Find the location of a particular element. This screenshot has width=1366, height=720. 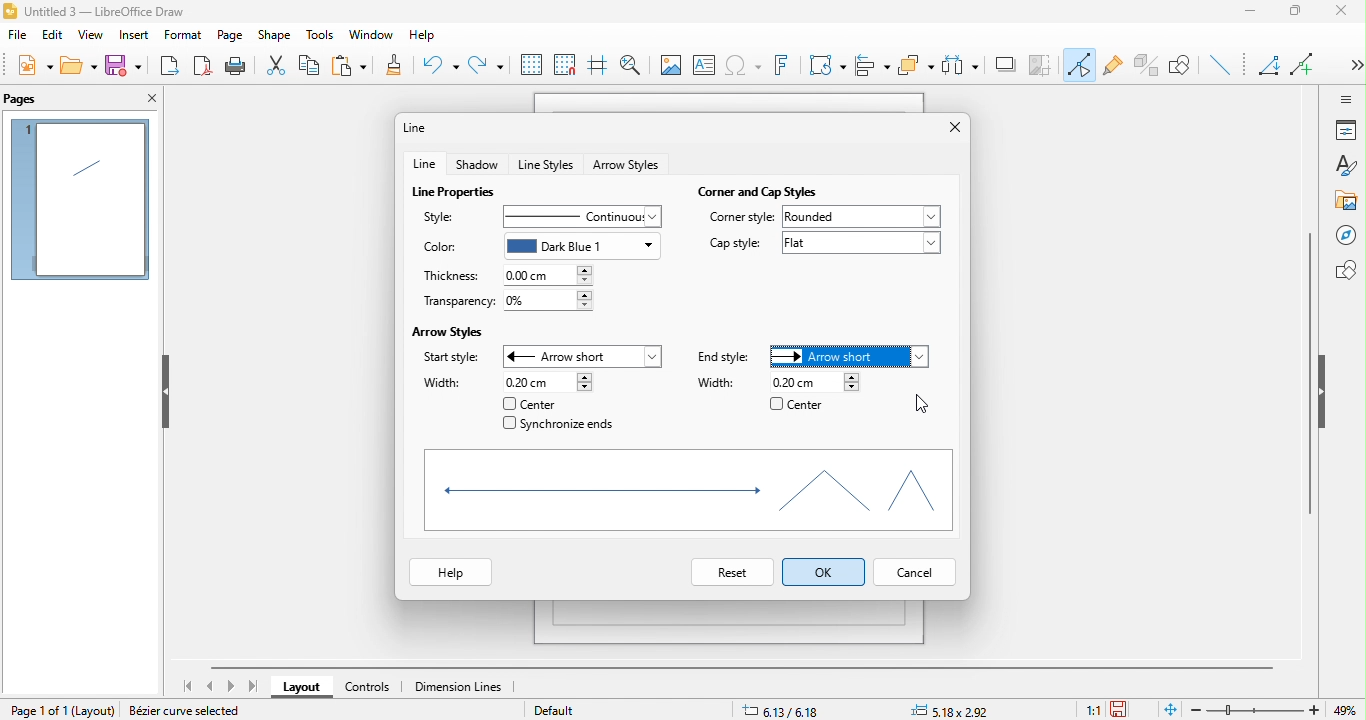

arrange is located at coordinates (916, 66).